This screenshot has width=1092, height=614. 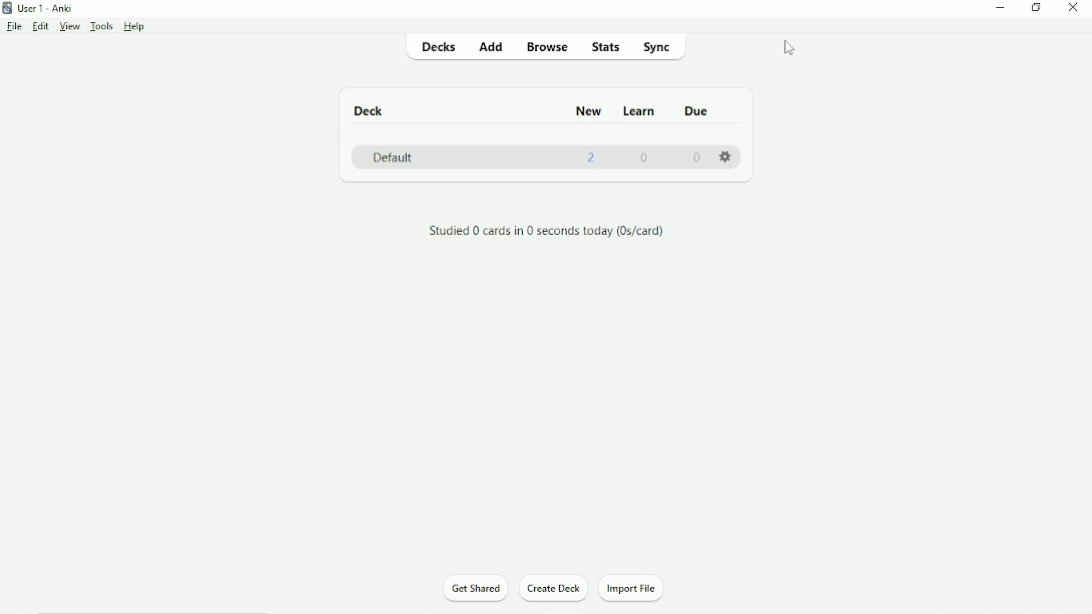 I want to click on Close, so click(x=1072, y=9).